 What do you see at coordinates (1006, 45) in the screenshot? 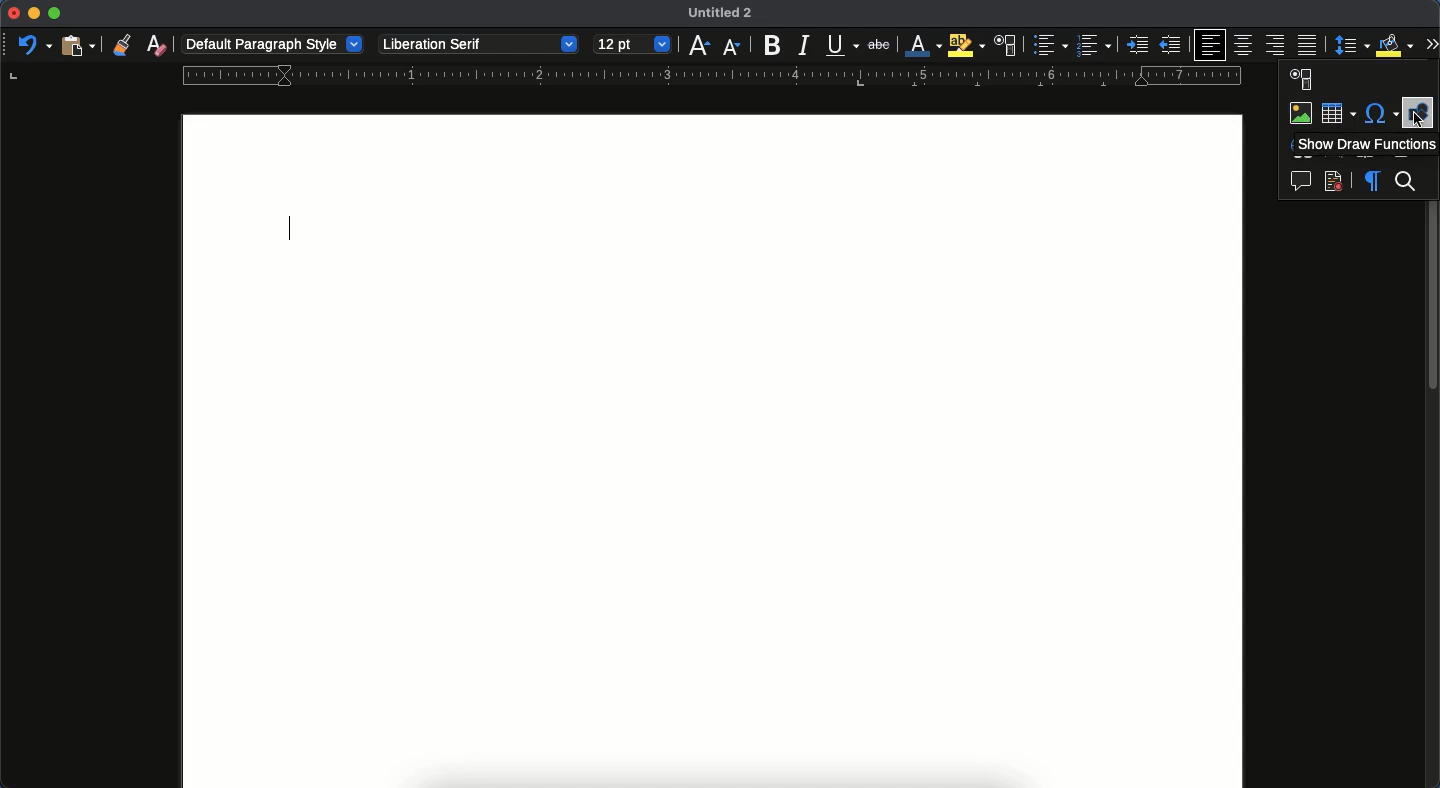
I see `character` at bounding box center [1006, 45].